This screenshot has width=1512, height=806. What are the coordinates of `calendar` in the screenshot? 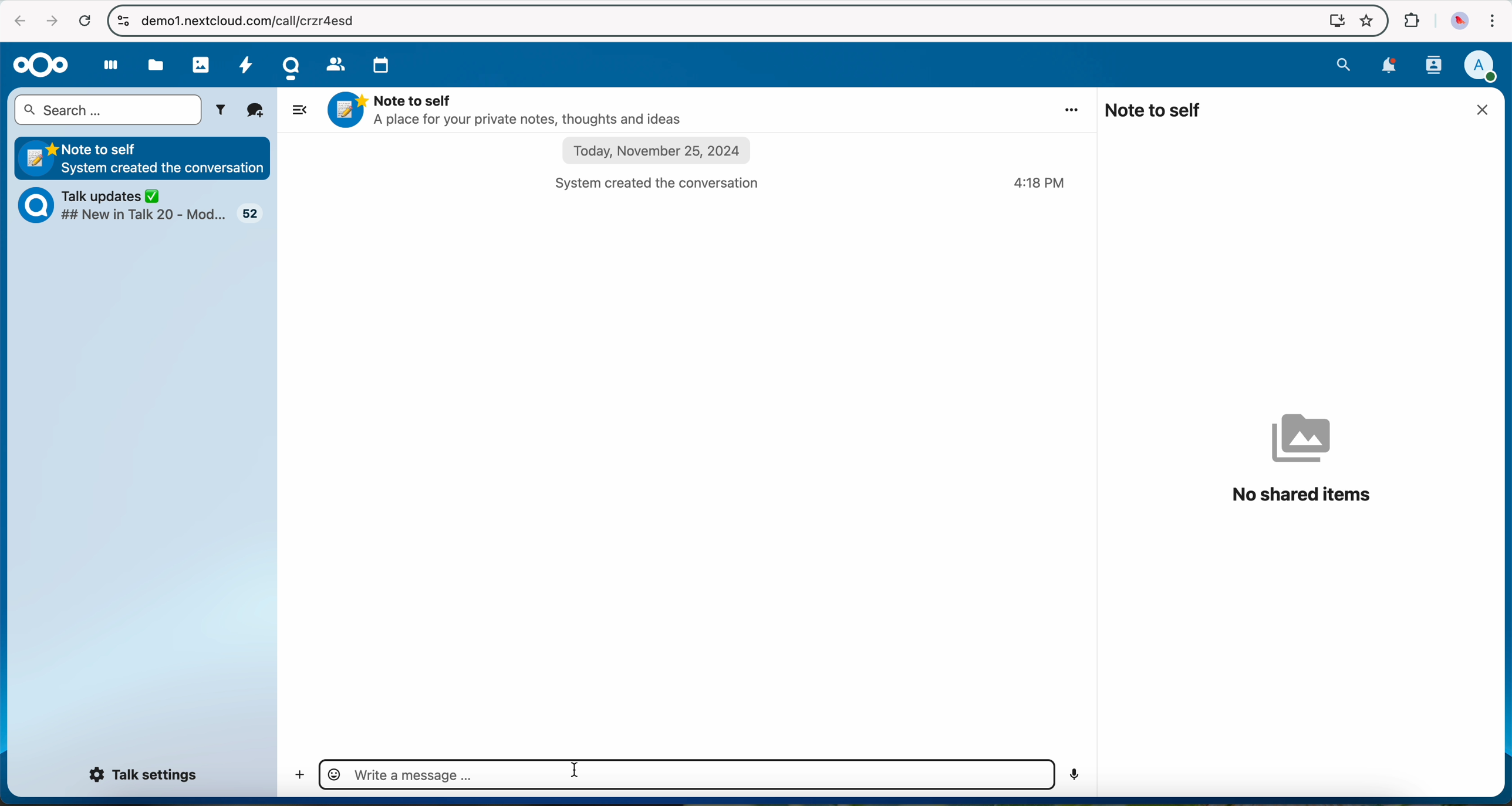 It's located at (383, 65).